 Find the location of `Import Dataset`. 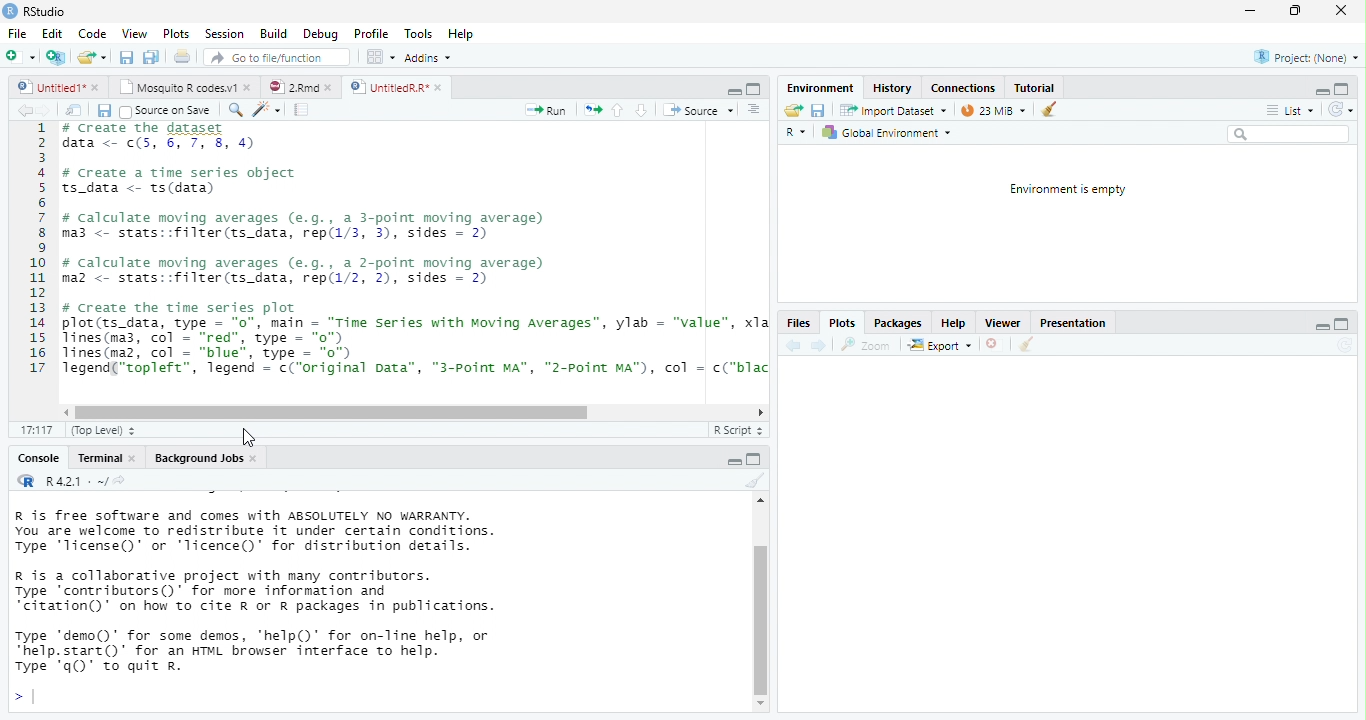

Import Dataset is located at coordinates (895, 110).